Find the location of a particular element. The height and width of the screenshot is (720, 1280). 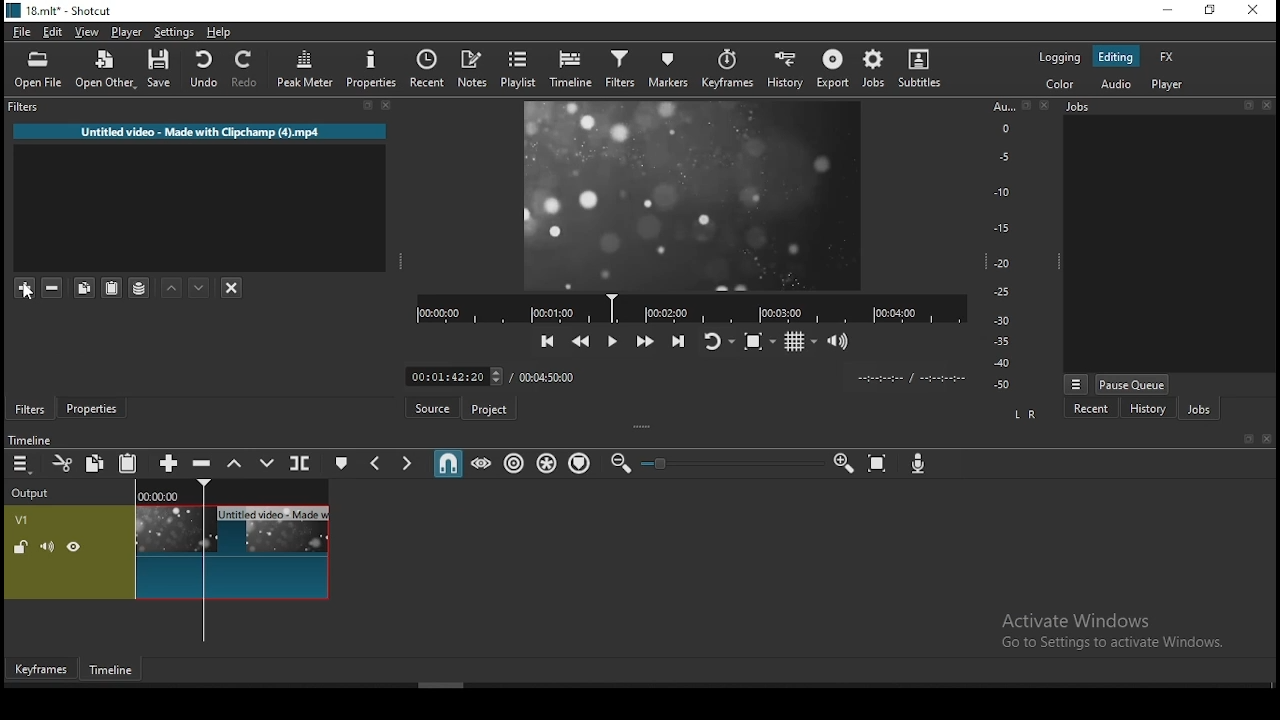

play quickly forwards is located at coordinates (647, 340).